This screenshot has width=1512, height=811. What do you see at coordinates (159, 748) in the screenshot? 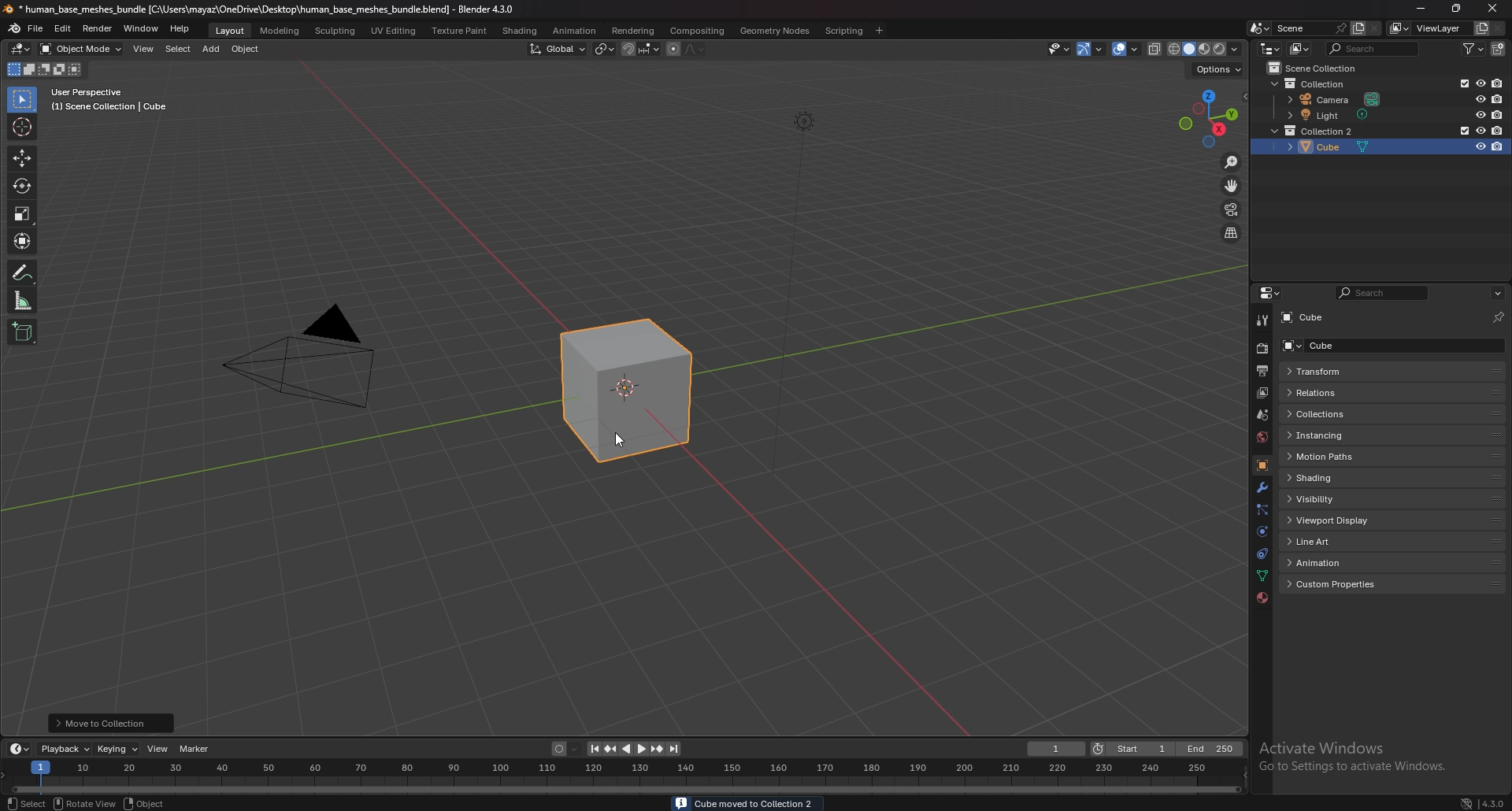
I see `view` at bounding box center [159, 748].